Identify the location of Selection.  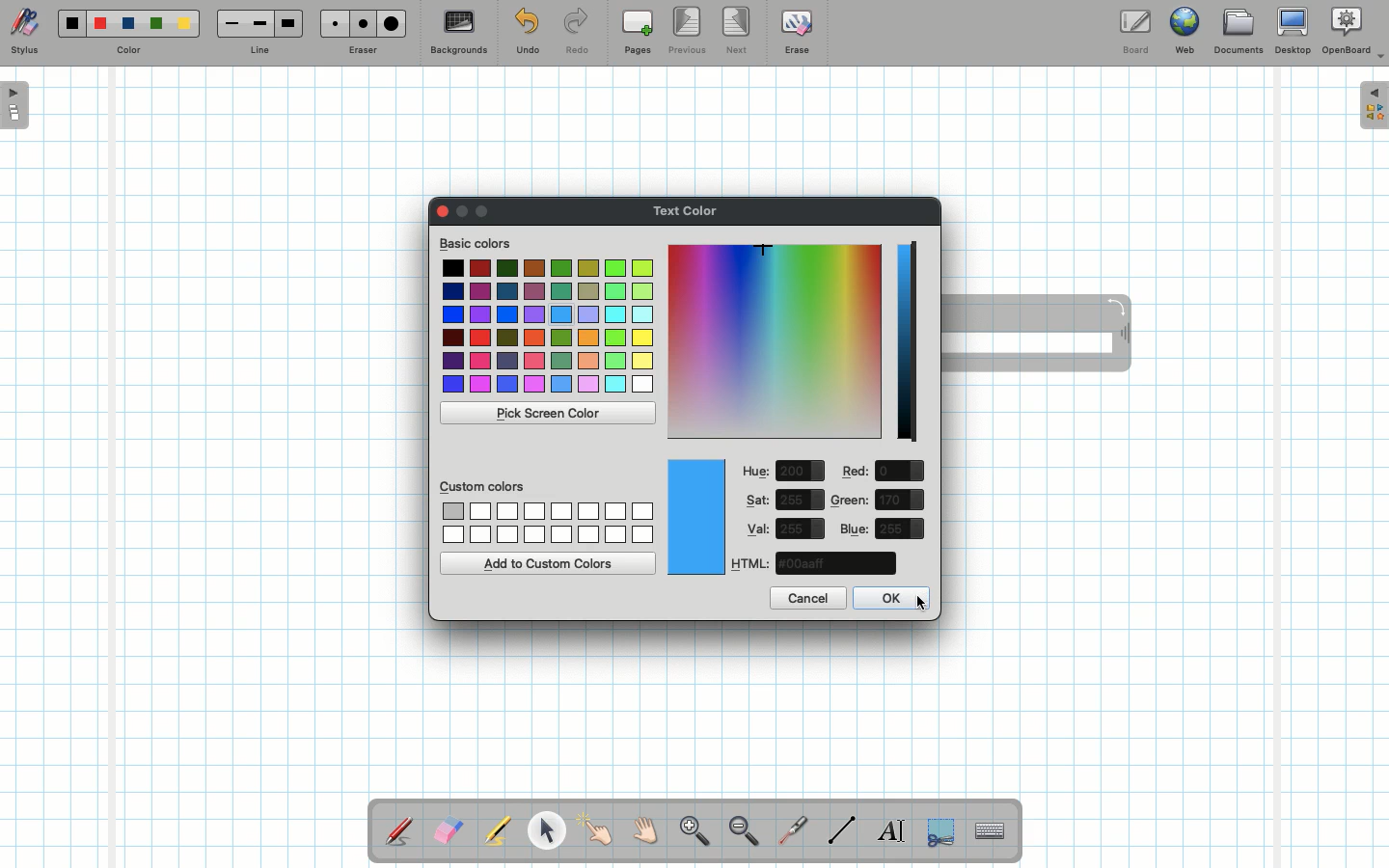
(939, 829).